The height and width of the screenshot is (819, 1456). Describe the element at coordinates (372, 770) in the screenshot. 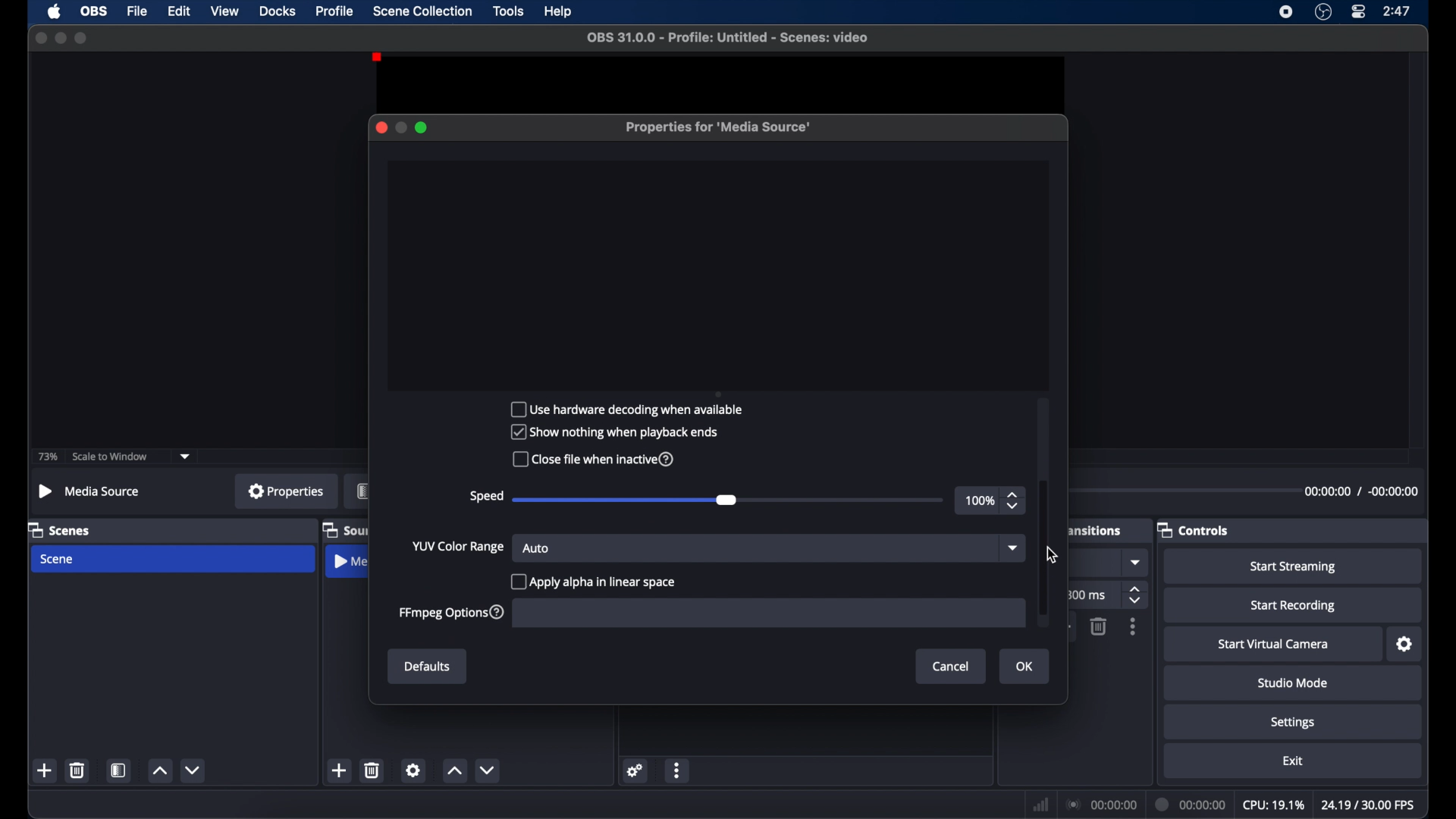

I see `delete` at that location.